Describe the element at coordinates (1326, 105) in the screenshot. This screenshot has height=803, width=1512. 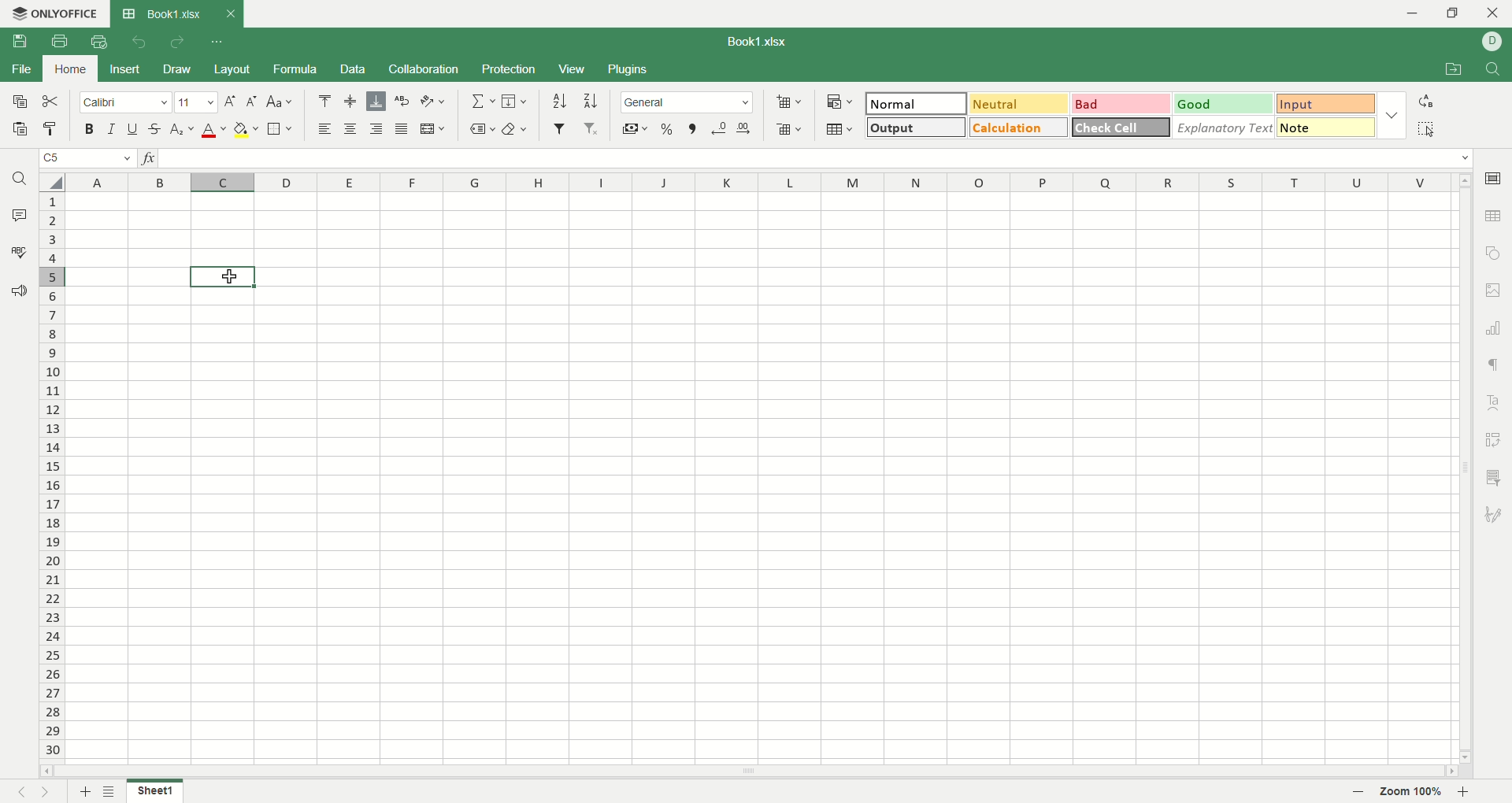
I see `input` at that location.